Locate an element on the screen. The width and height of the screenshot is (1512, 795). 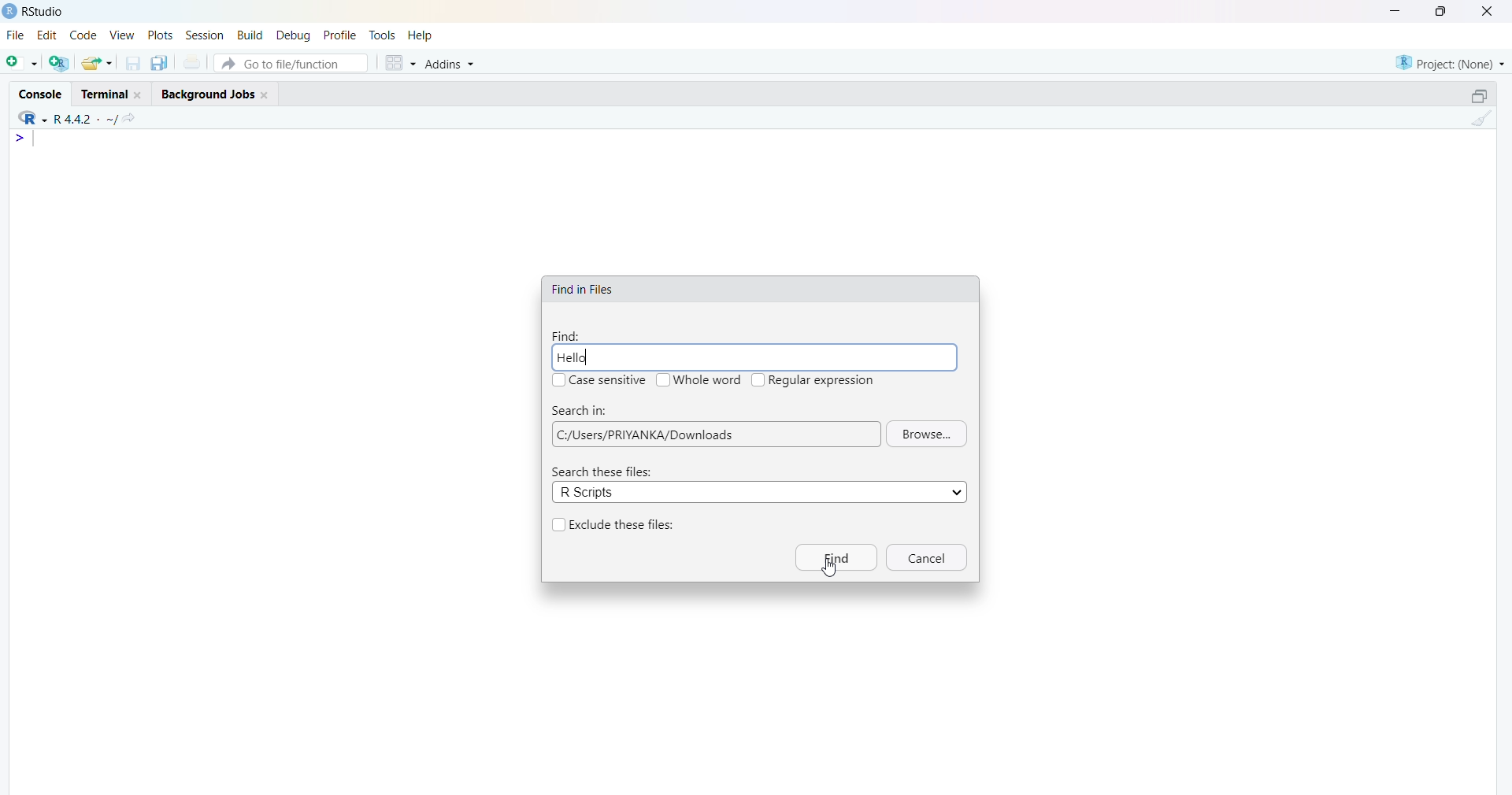
R 4.4.2 ~/ is located at coordinates (87, 119).